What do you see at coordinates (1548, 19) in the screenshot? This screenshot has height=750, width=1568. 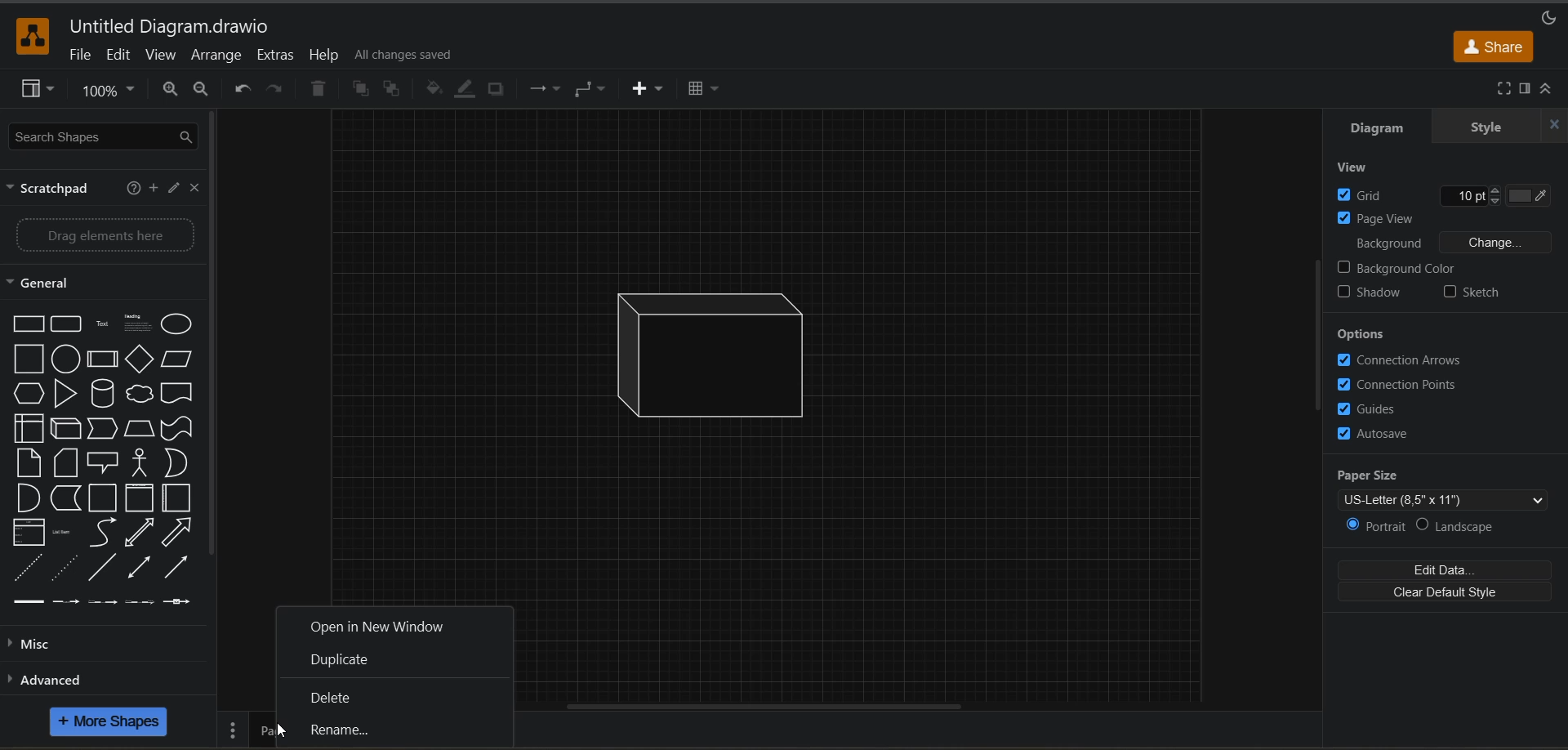 I see `appearance` at bounding box center [1548, 19].